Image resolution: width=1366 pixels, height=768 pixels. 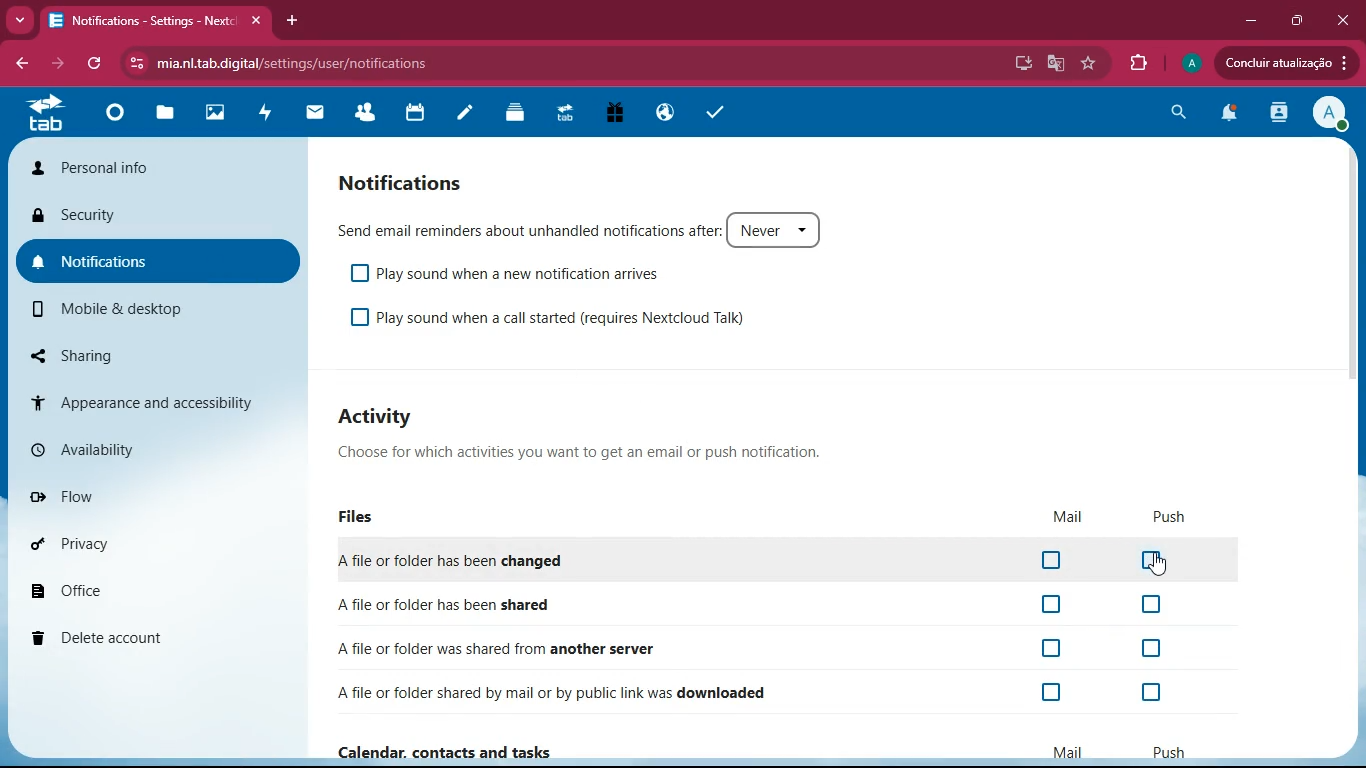 What do you see at coordinates (1227, 114) in the screenshot?
I see `notifications` at bounding box center [1227, 114].